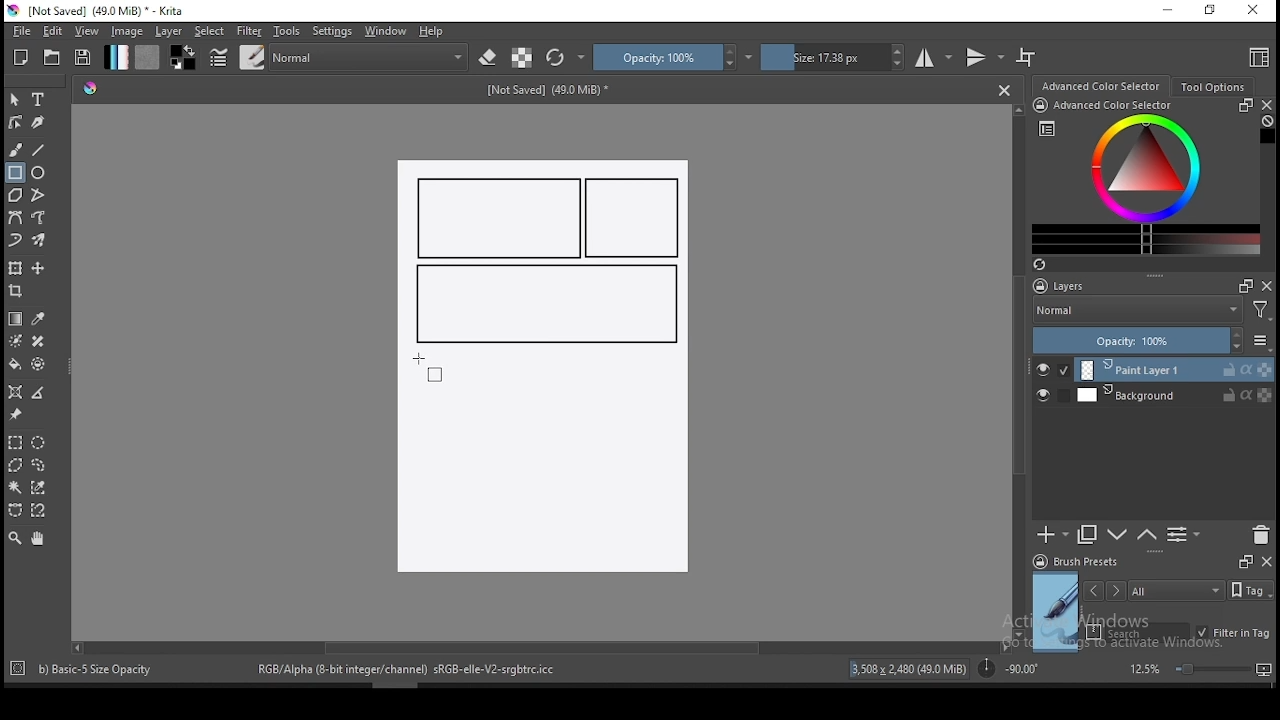  Describe the element at coordinates (14, 442) in the screenshot. I see `rectangular selection tool` at that location.